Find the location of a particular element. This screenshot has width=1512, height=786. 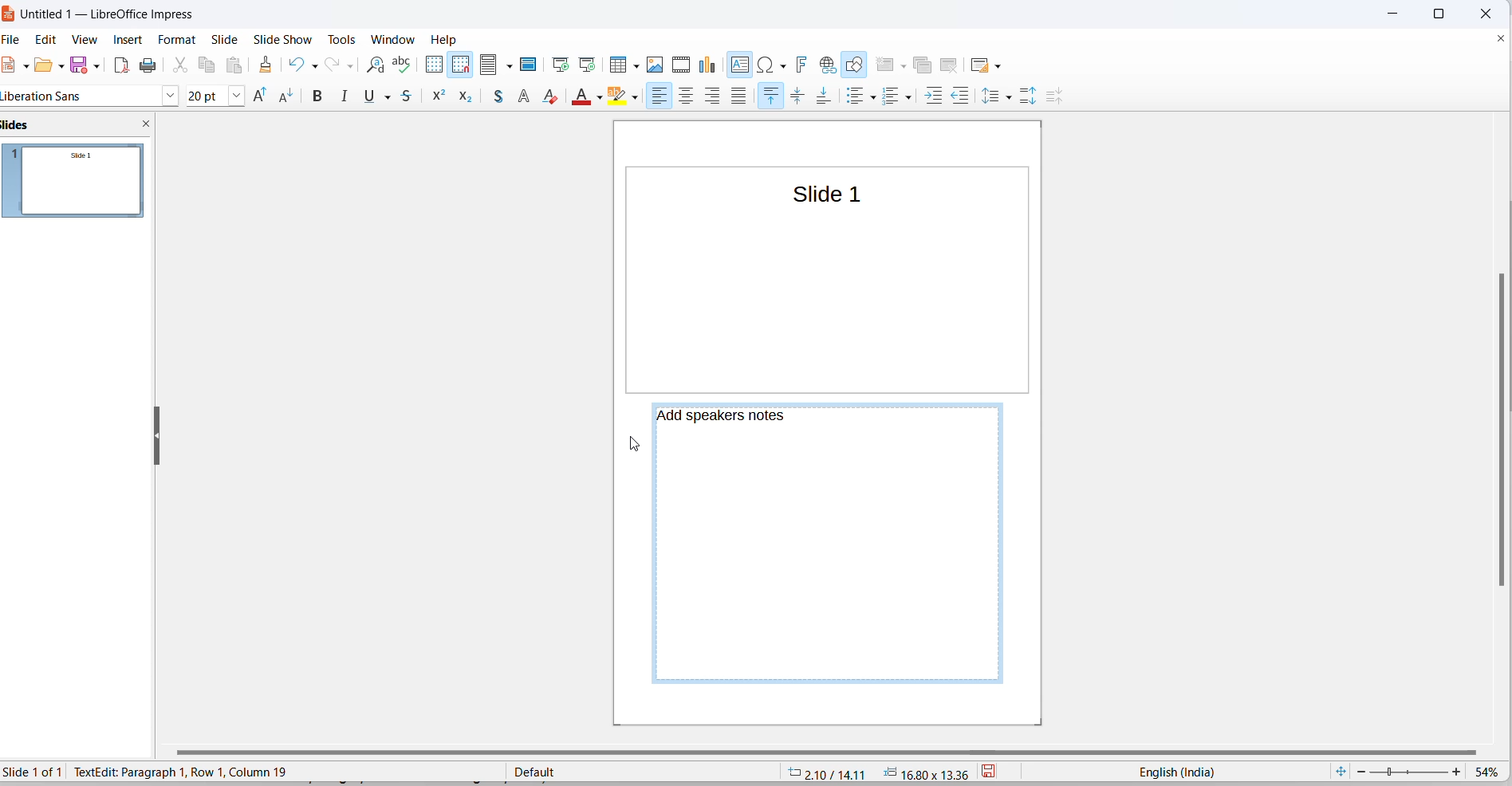

text language is located at coordinates (1177, 772).